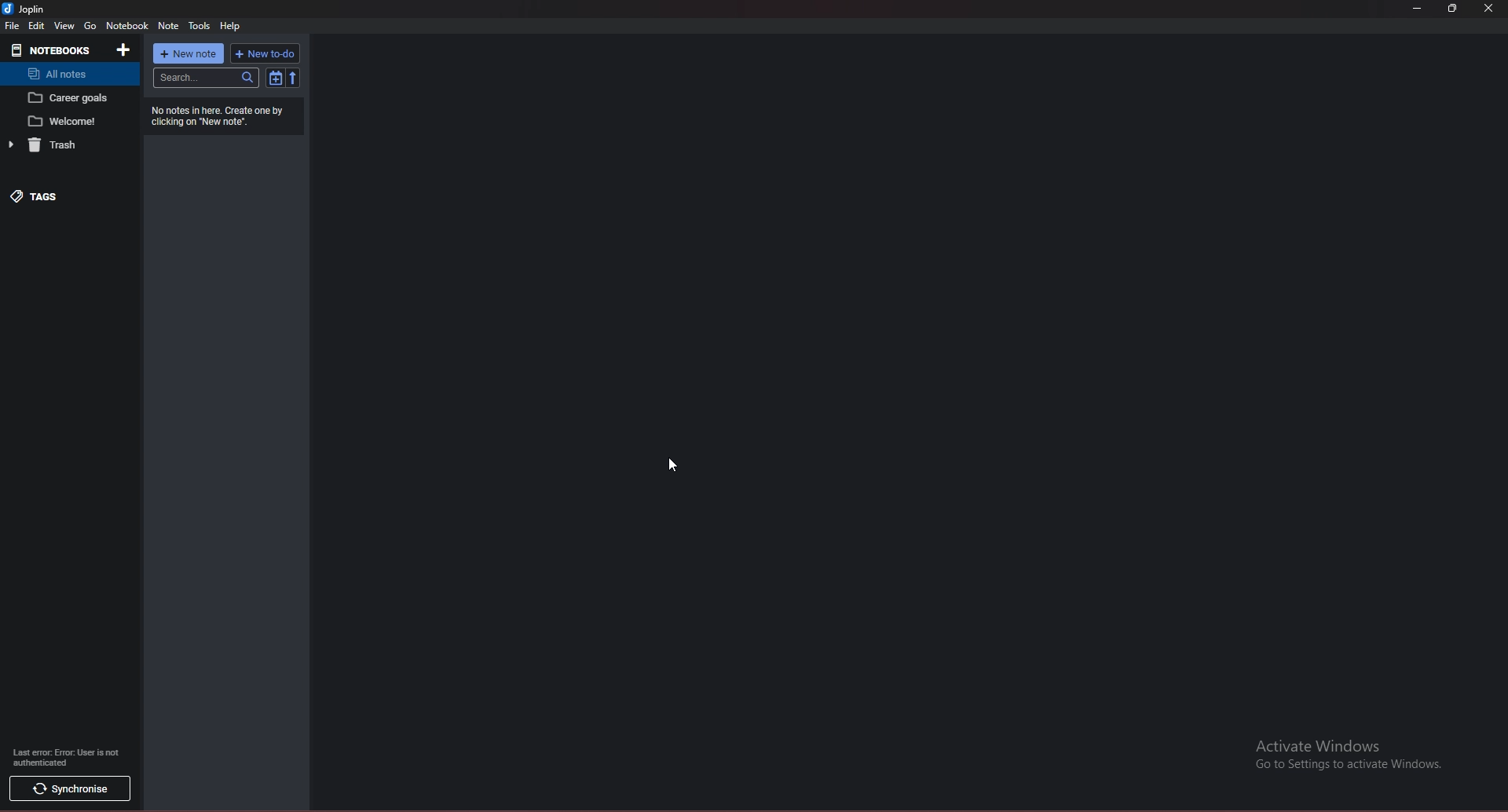  I want to click on notebooks, so click(53, 49).